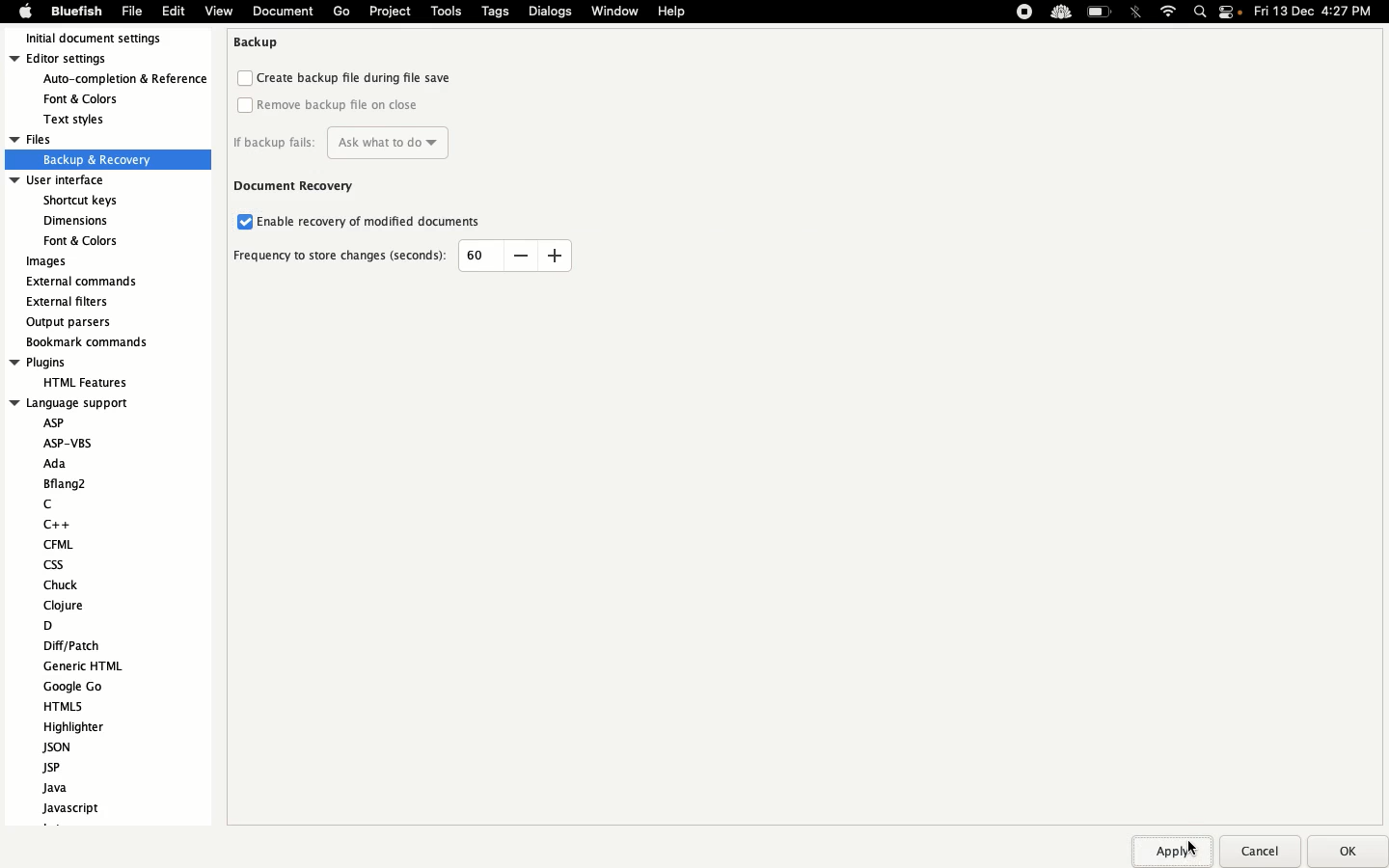 Image resolution: width=1389 pixels, height=868 pixels. I want to click on Enabled, so click(241, 222).